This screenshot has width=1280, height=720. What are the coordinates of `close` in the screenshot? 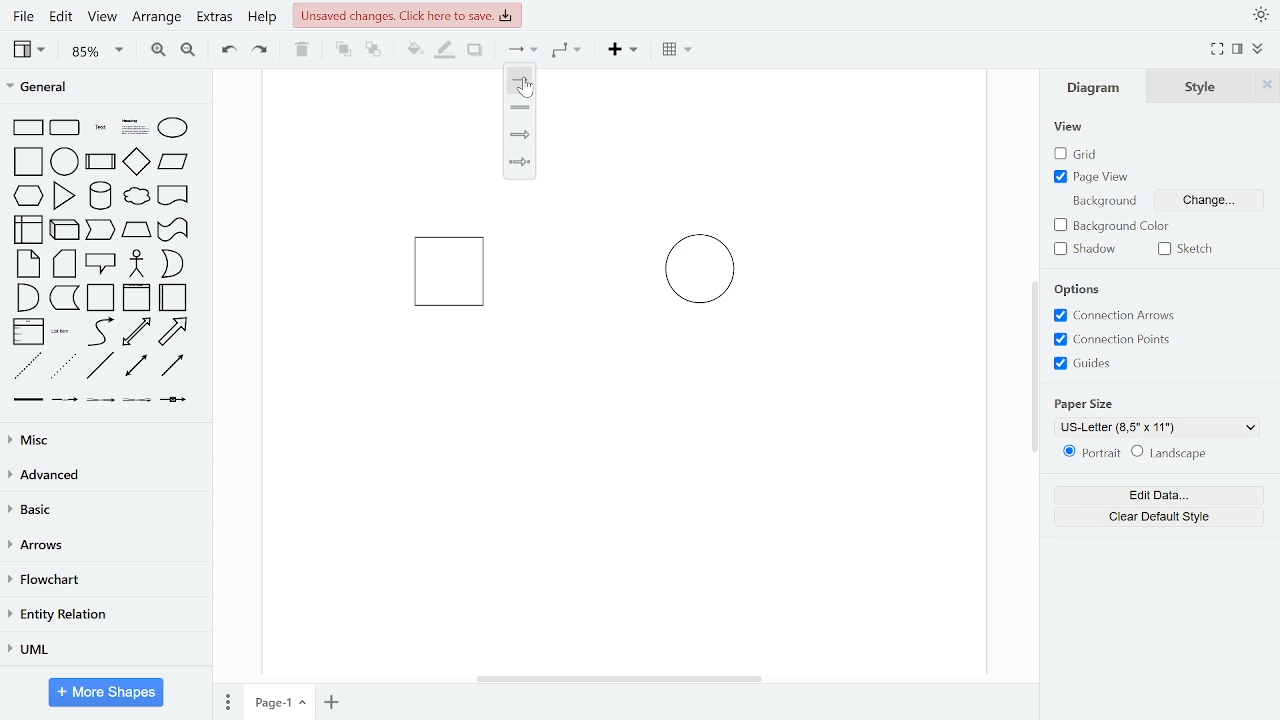 It's located at (1267, 85).